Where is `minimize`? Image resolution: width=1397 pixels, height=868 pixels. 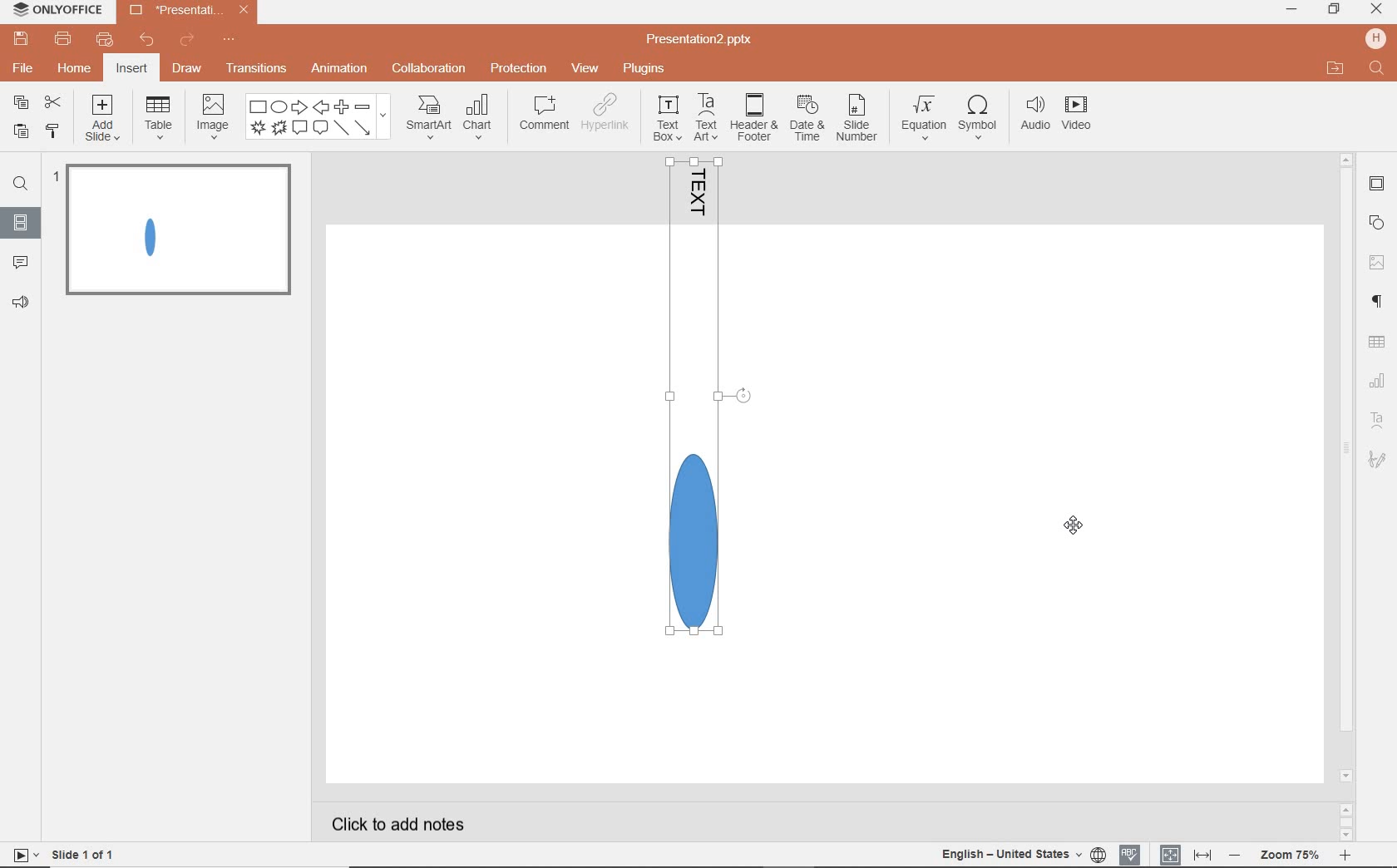
minimize is located at coordinates (1291, 10).